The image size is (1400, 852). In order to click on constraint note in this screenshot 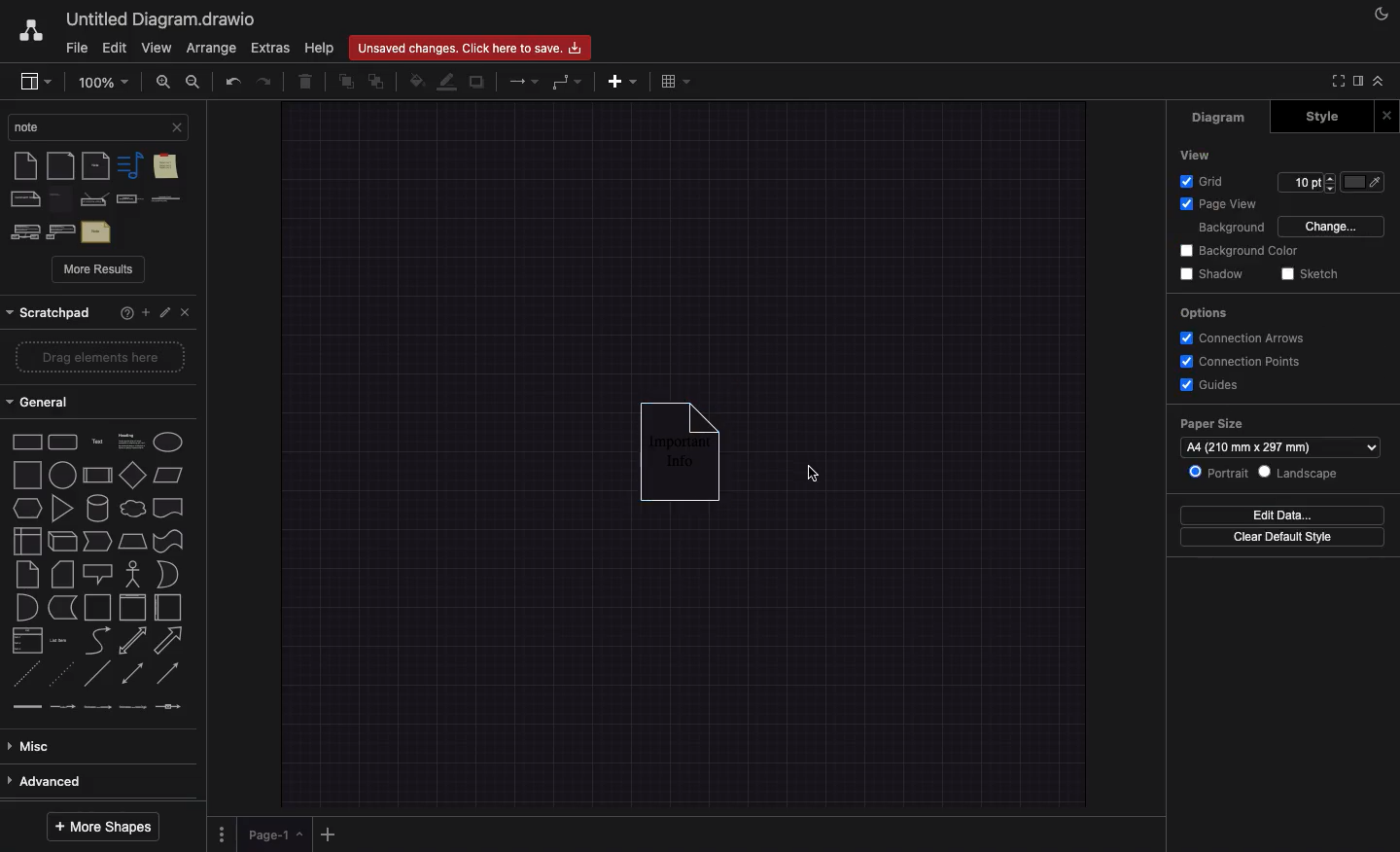, I will do `click(95, 199)`.